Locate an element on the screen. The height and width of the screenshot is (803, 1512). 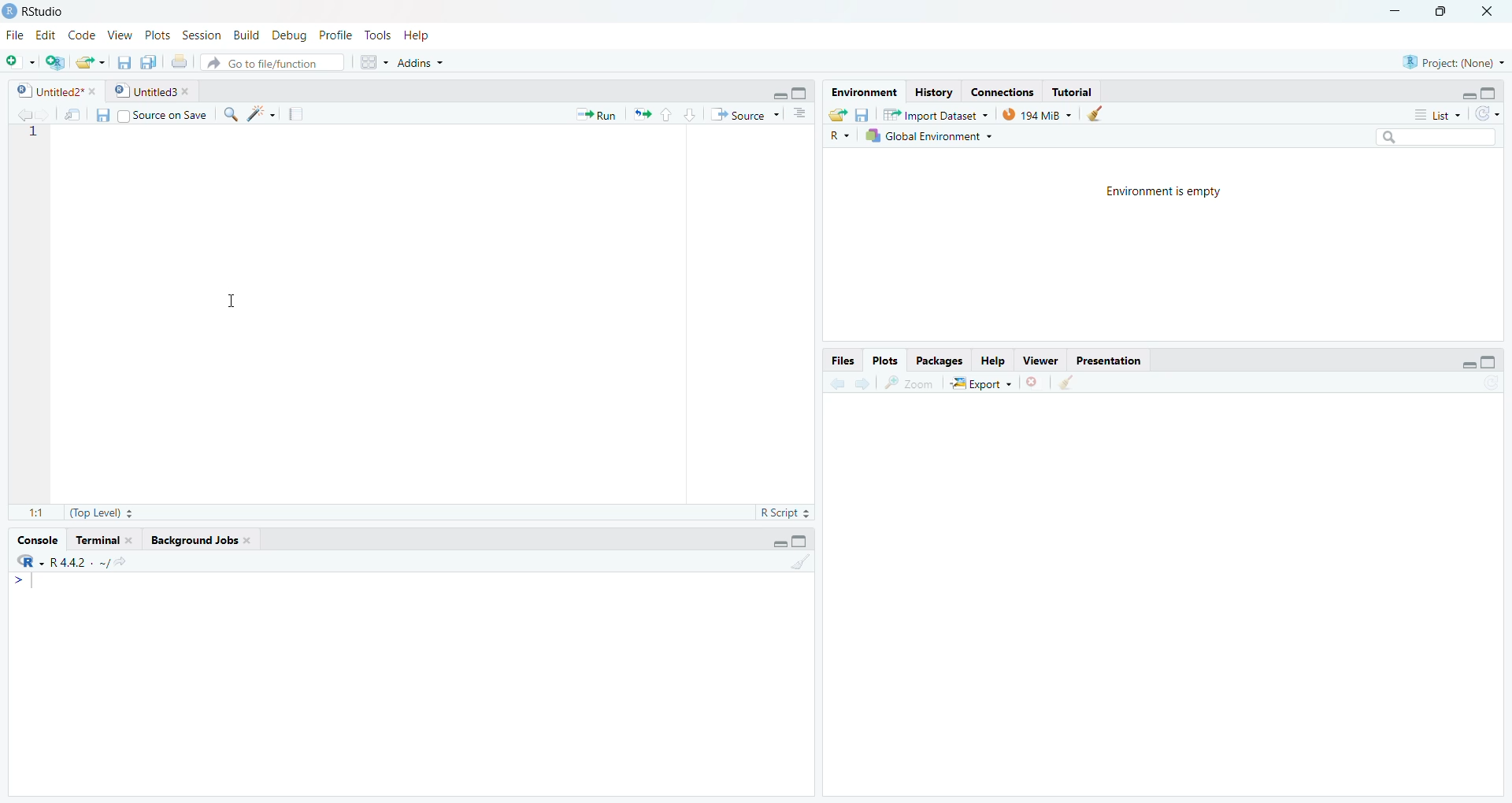
Viewer is located at coordinates (1039, 361).